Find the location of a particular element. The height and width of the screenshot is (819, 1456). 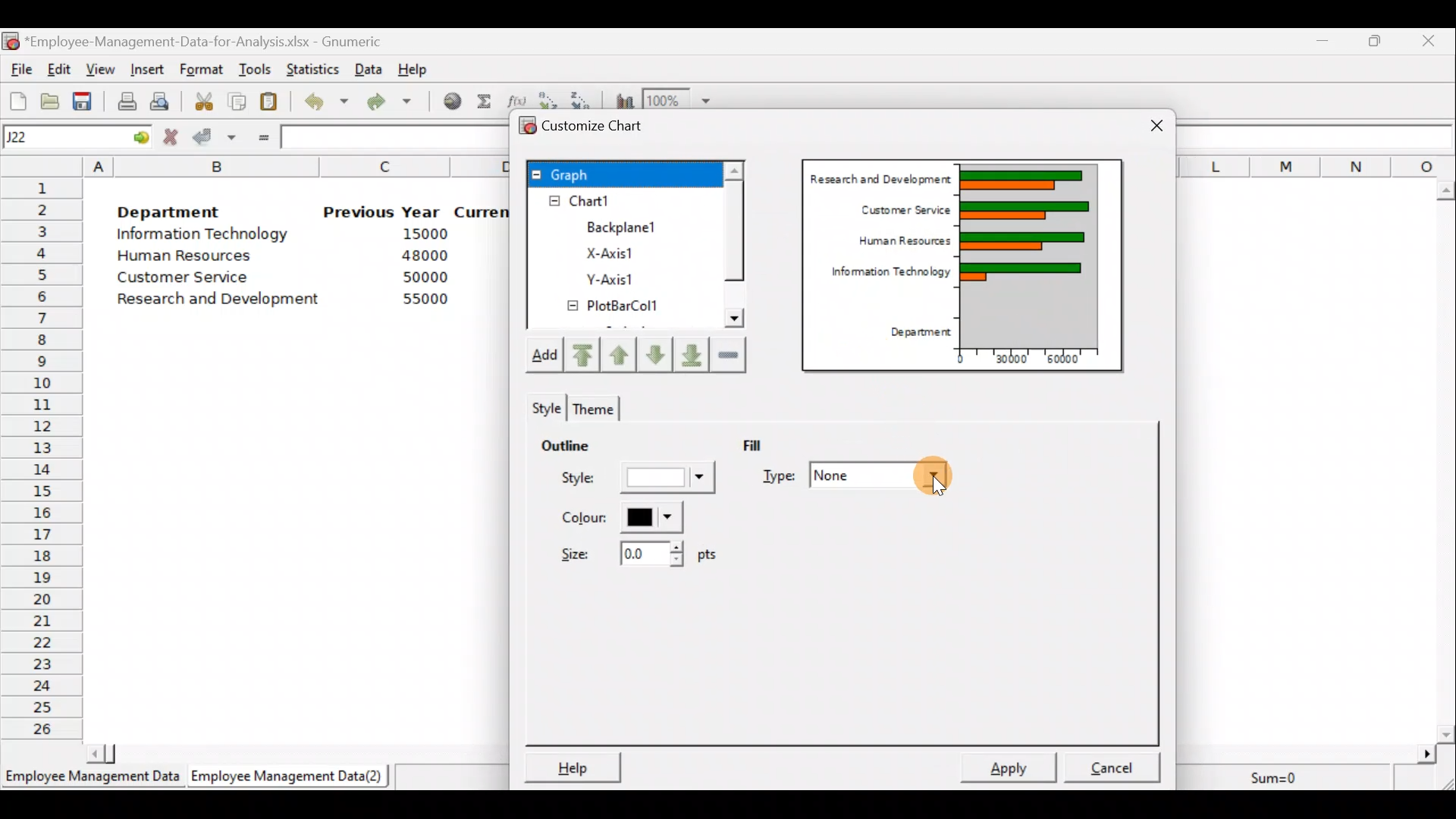

View is located at coordinates (101, 68).